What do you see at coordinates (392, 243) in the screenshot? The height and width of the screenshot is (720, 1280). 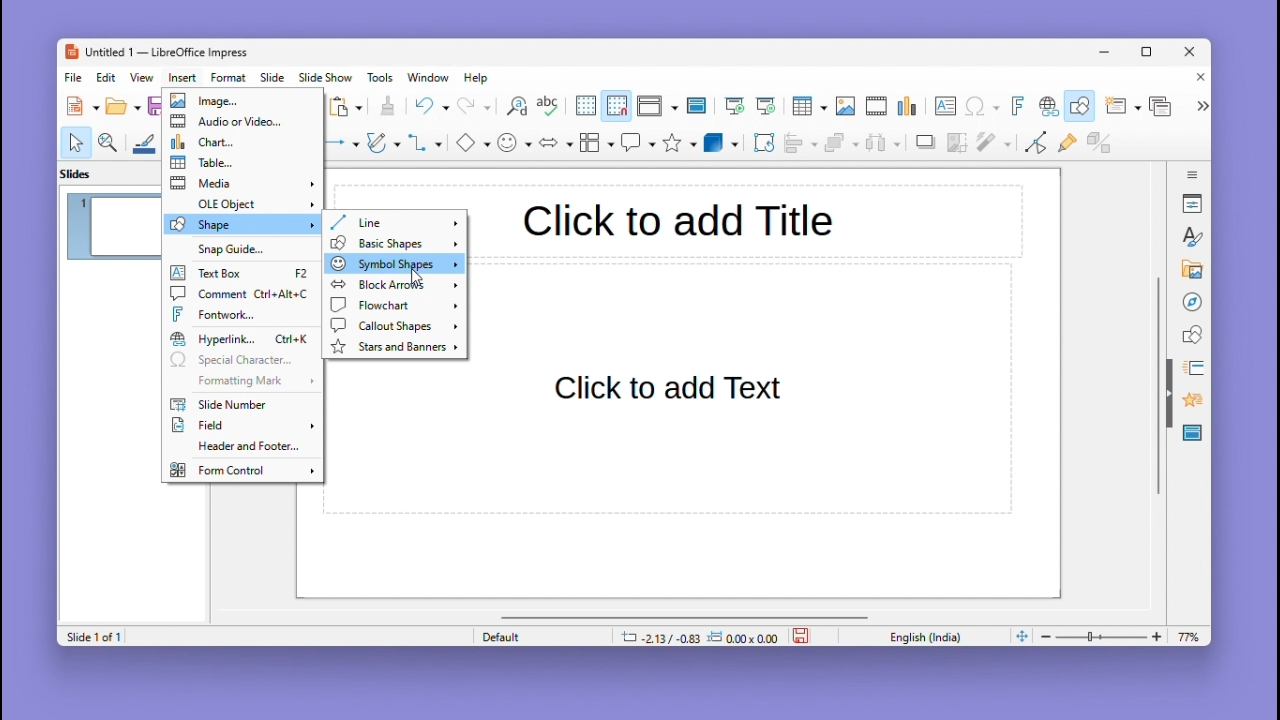 I see `Basic shapes` at bounding box center [392, 243].